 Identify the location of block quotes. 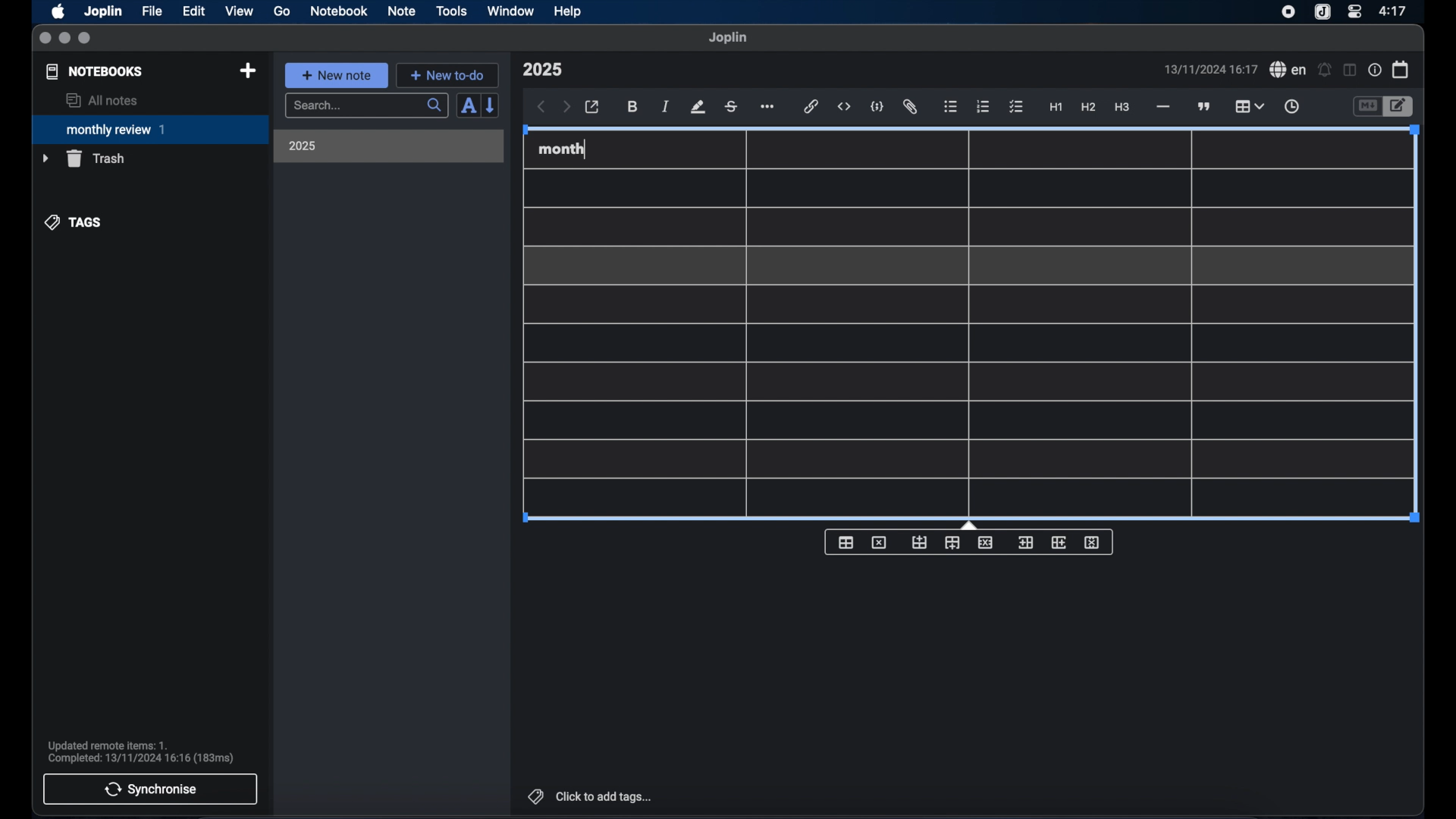
(1205, 107).